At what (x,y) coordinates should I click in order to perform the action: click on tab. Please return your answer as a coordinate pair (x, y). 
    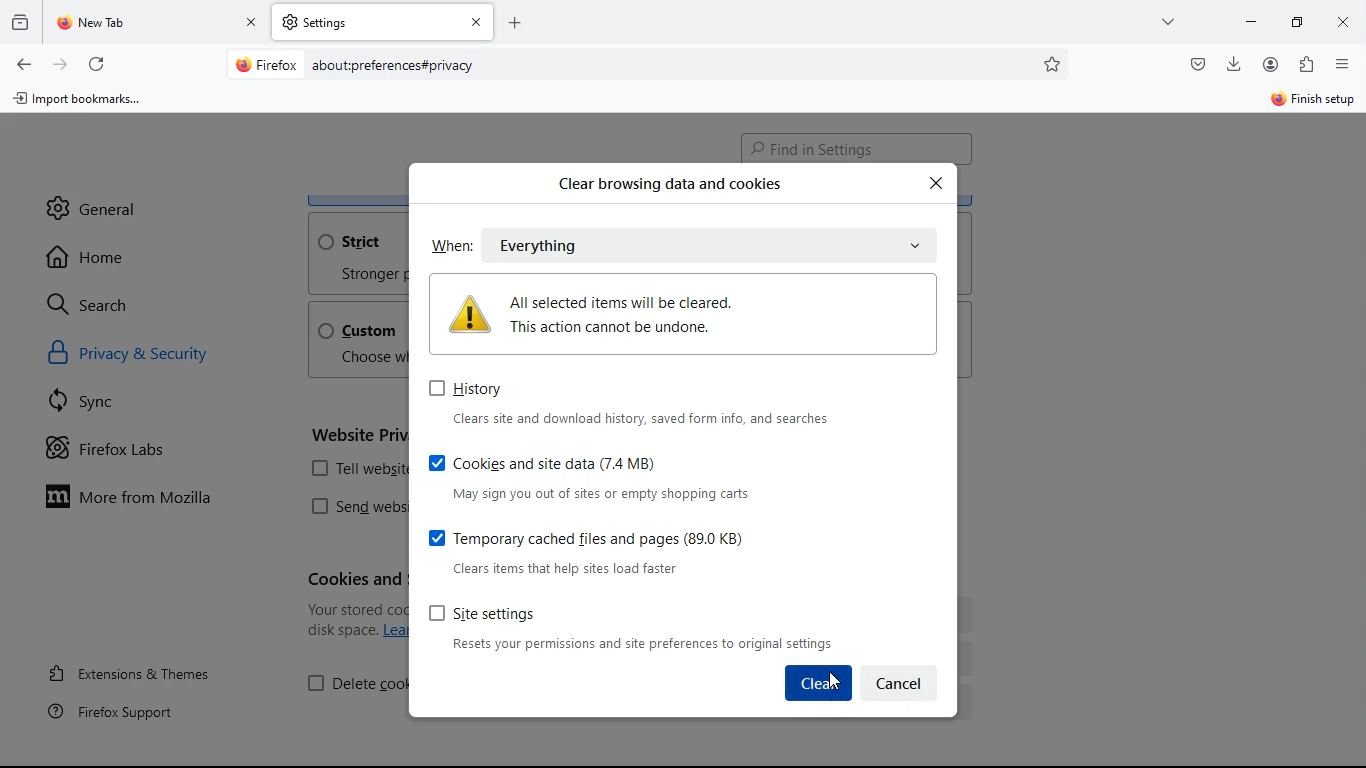
    Looking at the image, I should click on (158, 23).